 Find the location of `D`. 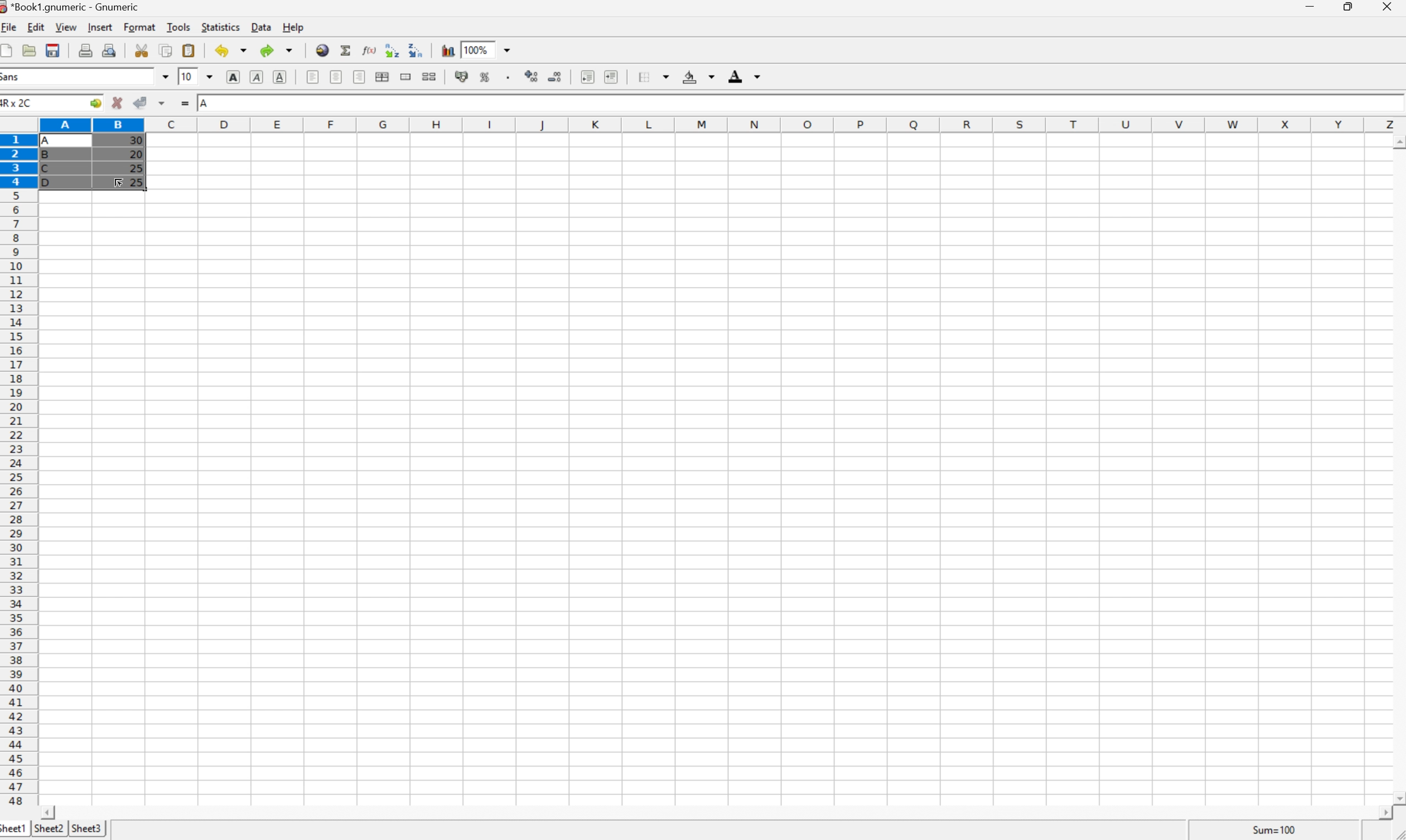

D is located at coordinates (50, 182).